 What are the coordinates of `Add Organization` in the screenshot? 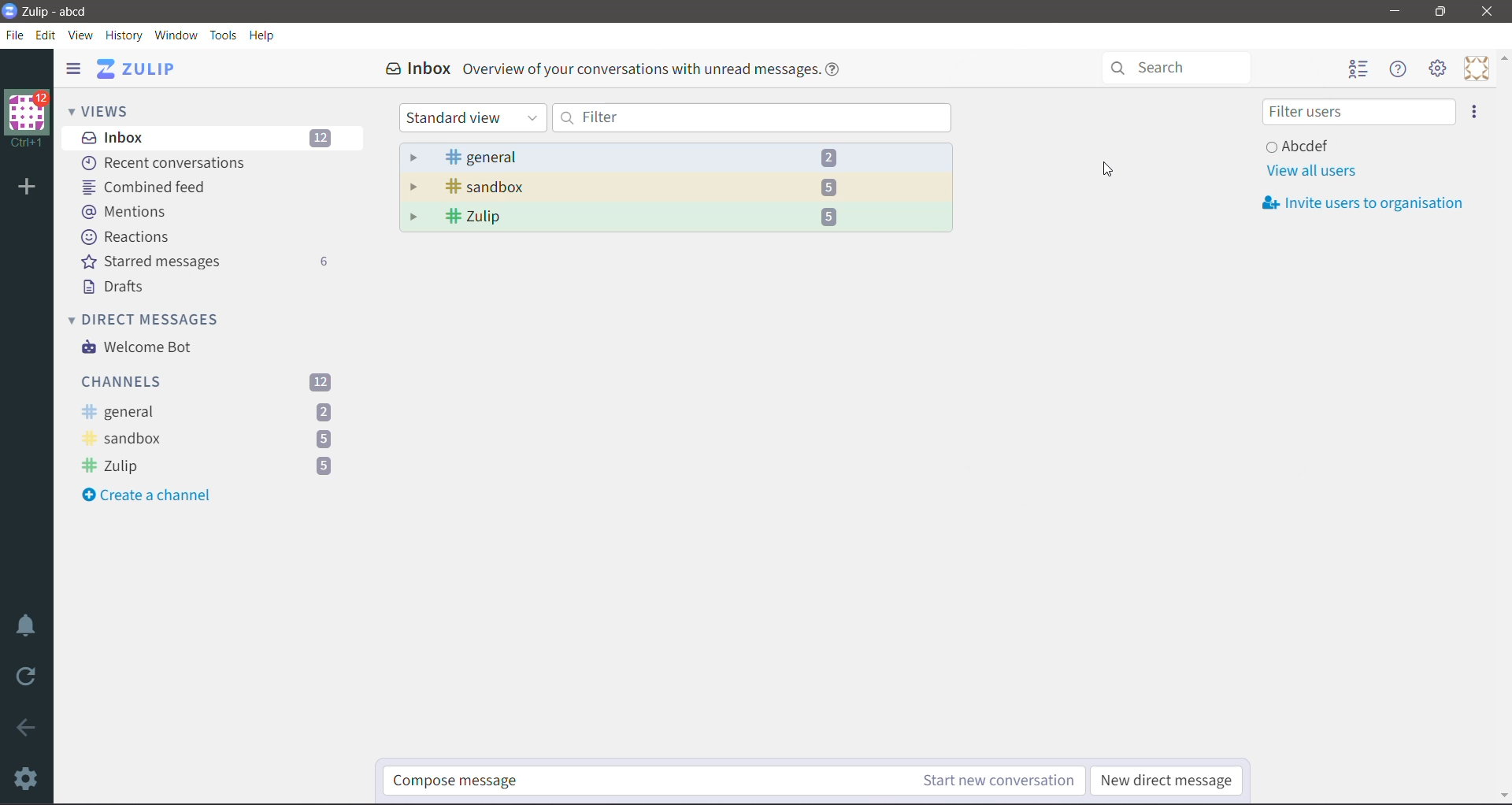 It's located at (28, 187).